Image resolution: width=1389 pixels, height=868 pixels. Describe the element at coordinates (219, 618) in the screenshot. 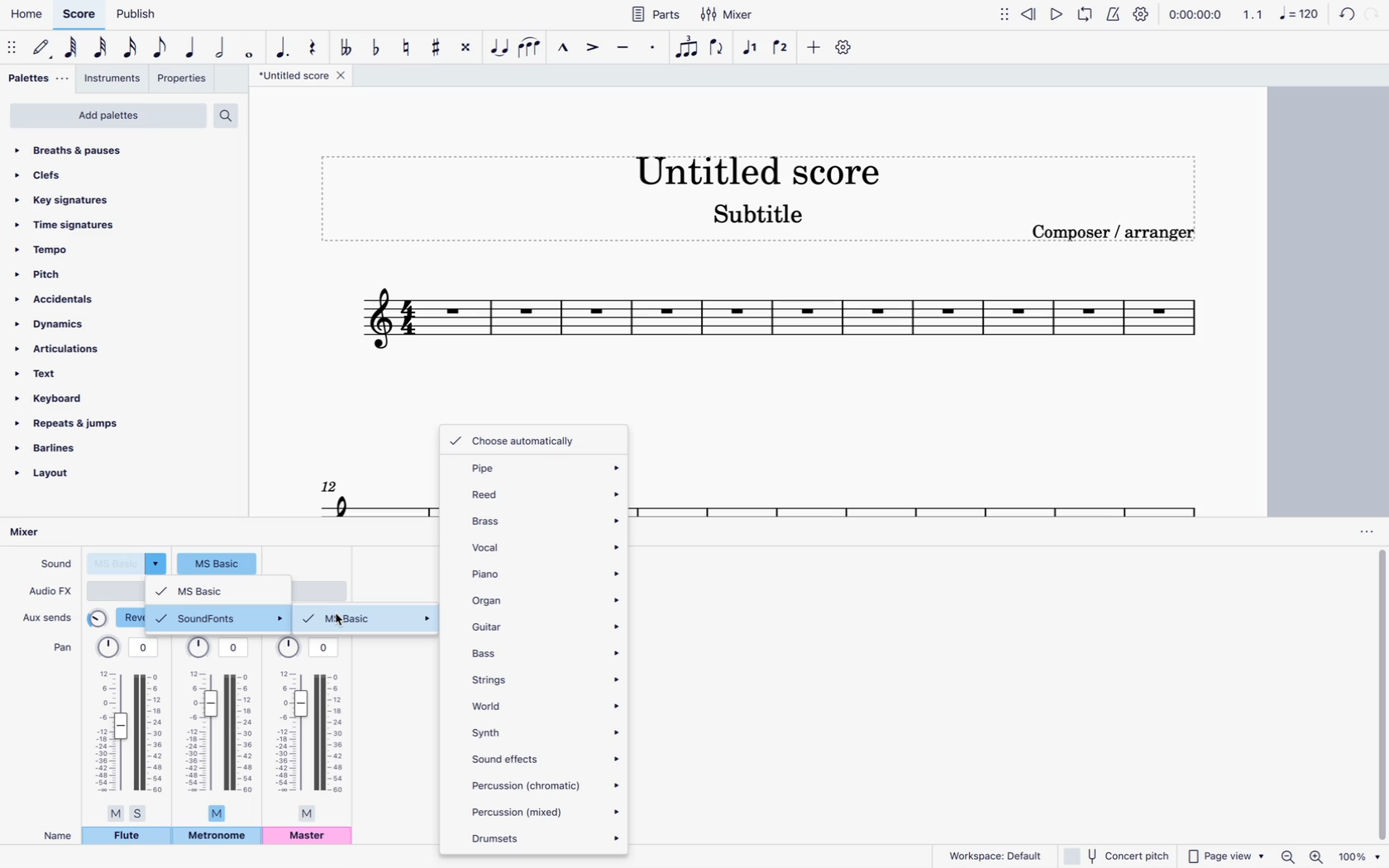

I see `soundfonts` at that location.